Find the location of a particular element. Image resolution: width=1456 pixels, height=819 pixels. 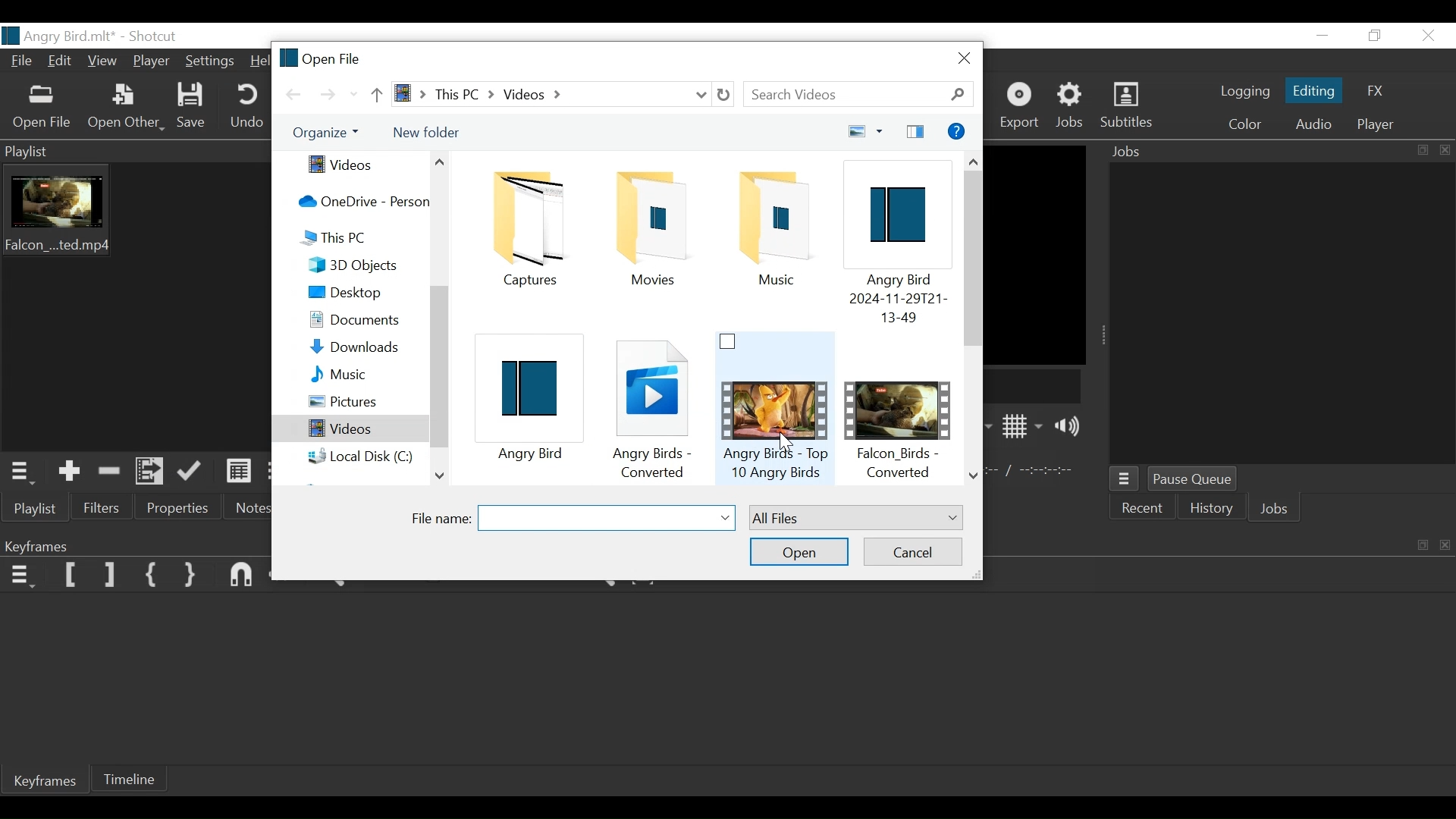

Pause Queue is located at coordinates (1191, 479).